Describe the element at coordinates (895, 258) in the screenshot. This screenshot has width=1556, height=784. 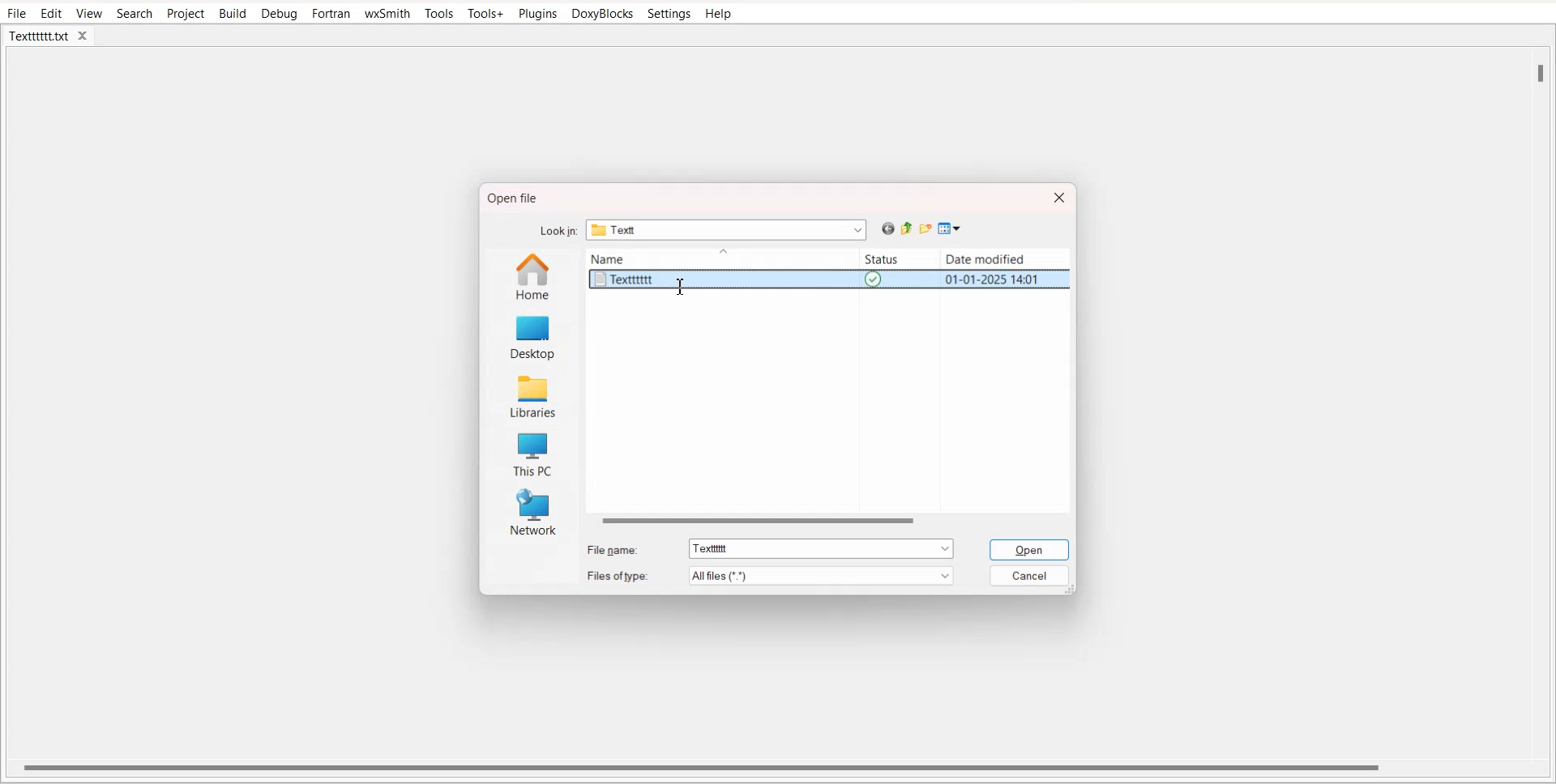
I see `Status` at that location.